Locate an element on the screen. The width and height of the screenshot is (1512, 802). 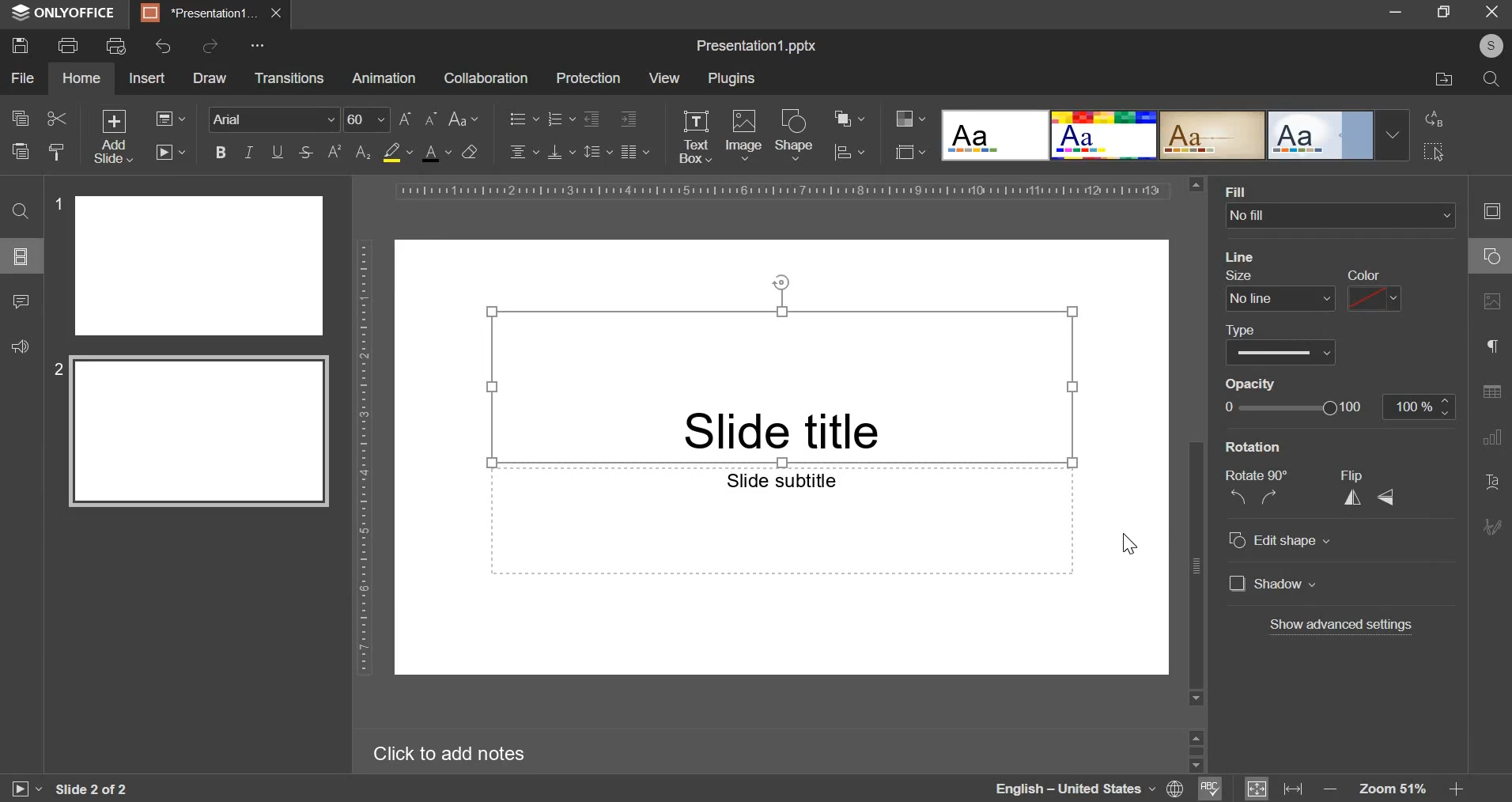
transitions is located at coordinates (289, 79).